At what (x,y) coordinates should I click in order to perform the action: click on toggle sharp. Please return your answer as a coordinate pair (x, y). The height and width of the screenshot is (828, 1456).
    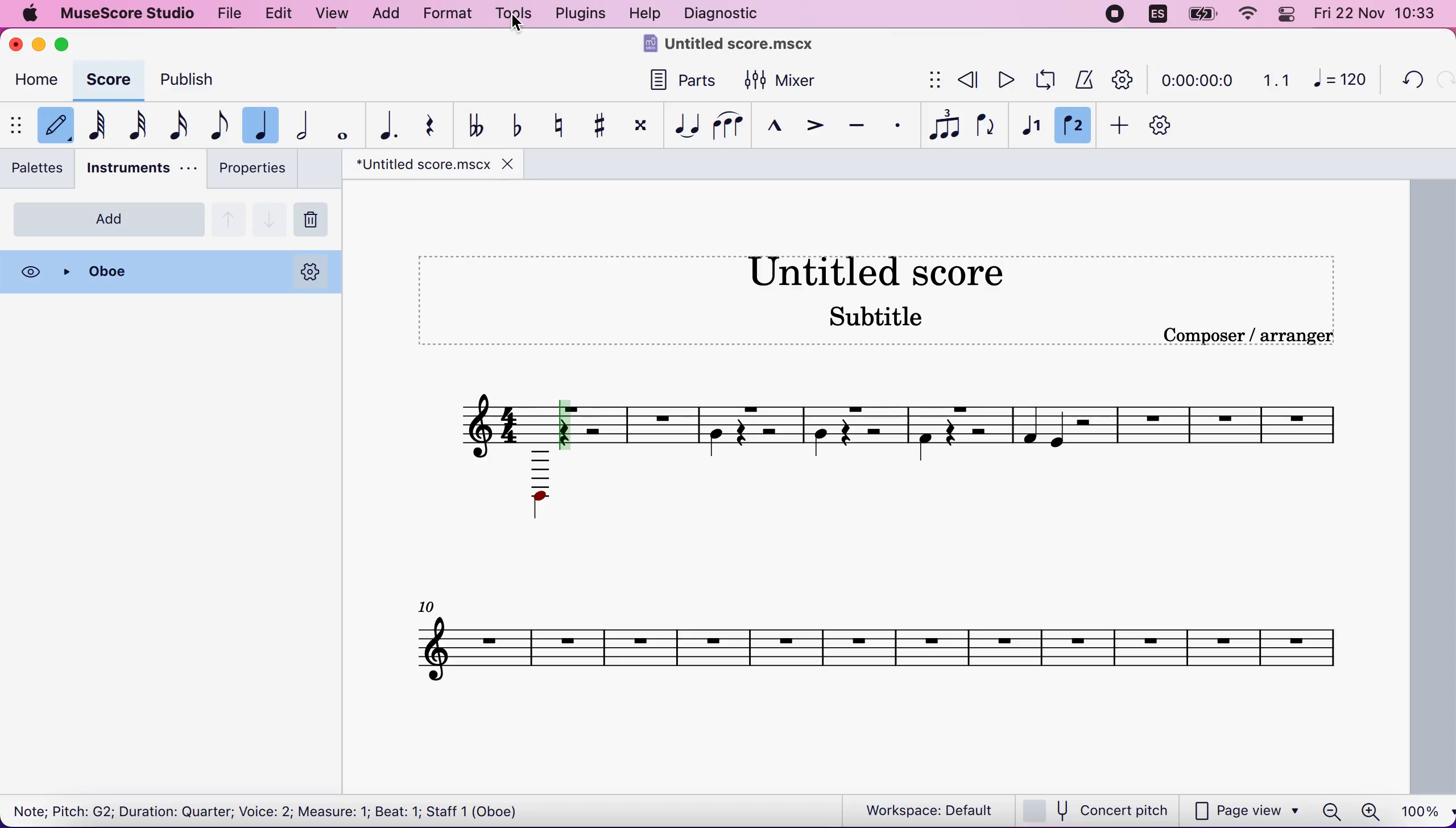
    Looking at the image, I should click on (603, 125).